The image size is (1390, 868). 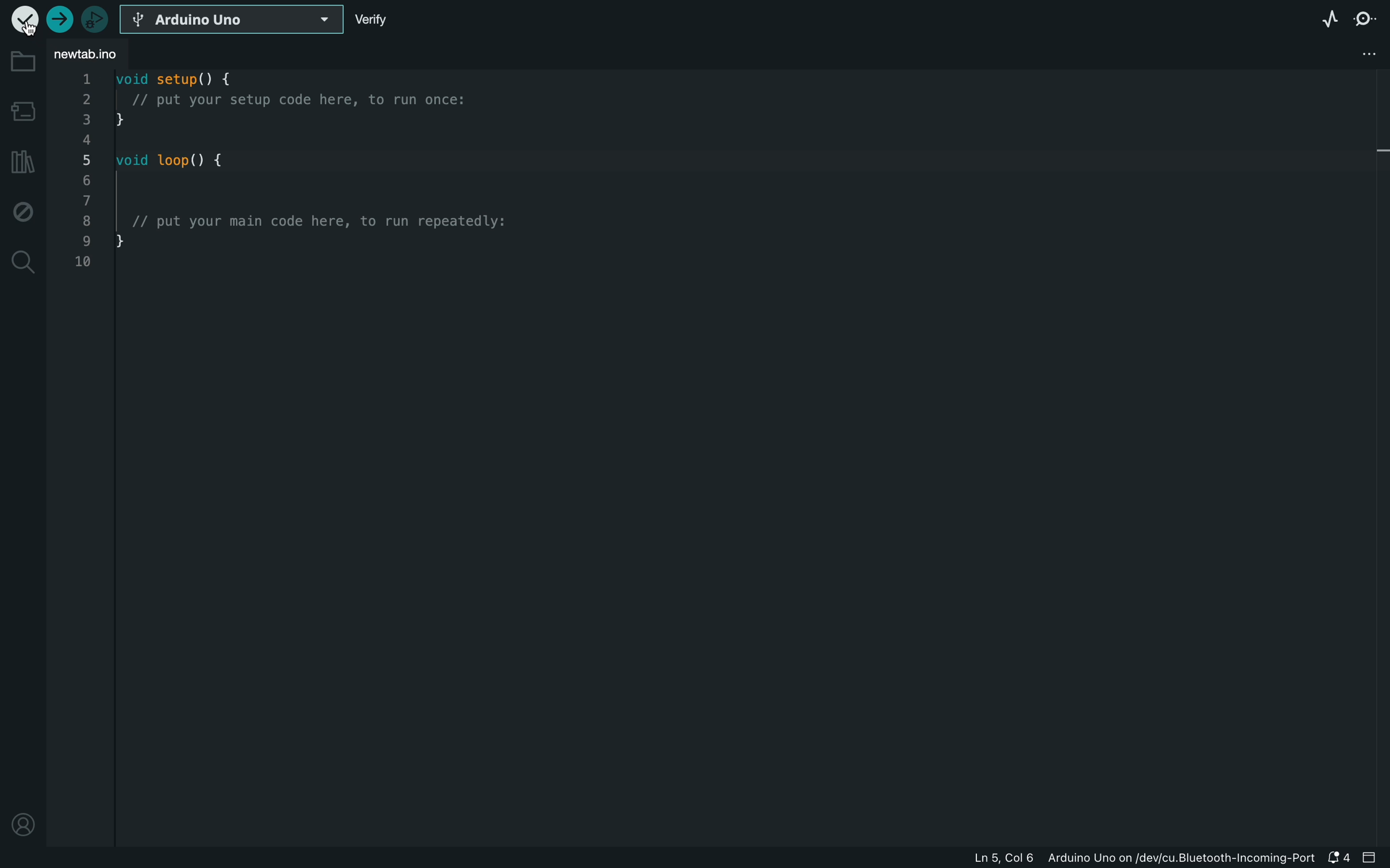 What do you see at coordinates (311, 201) in the screenshot?
I see `code` at bounding box center [311, 201].